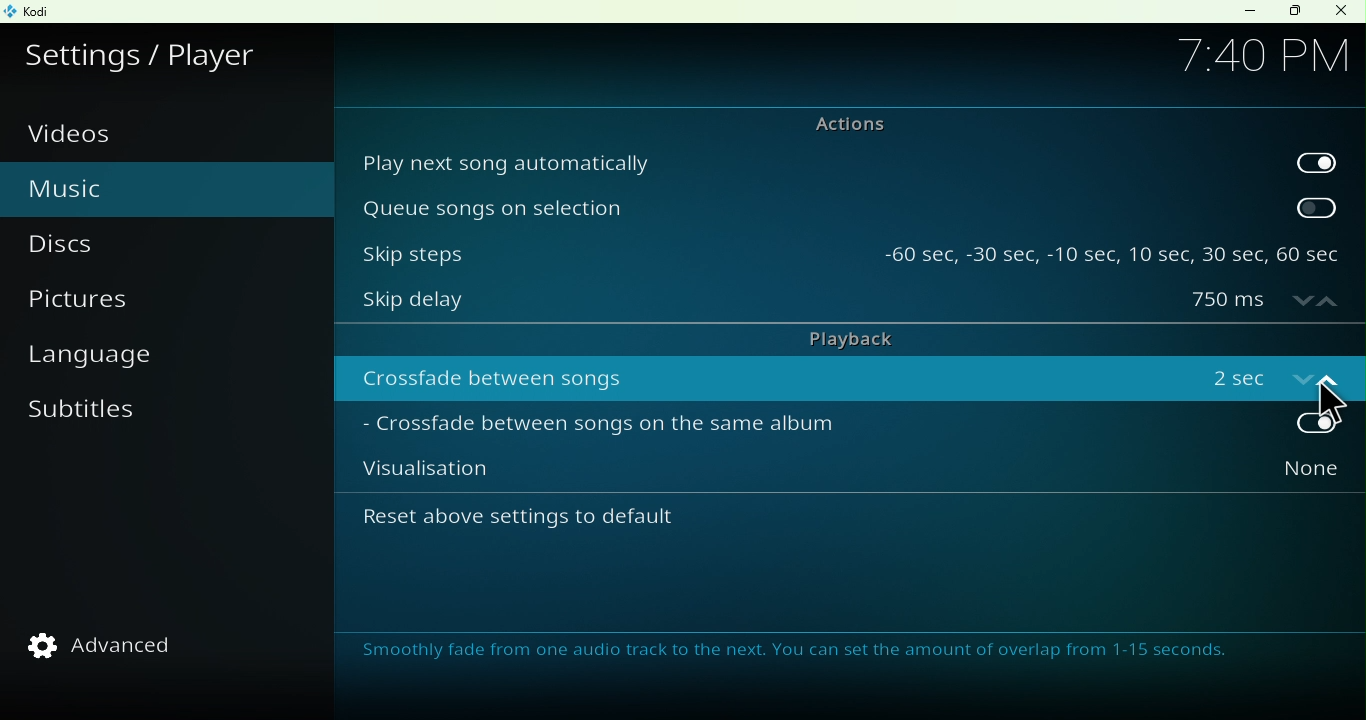 The width and height of the screenshot is (1366, 720). What do you see at coordinates (759, 304) in the screenshot?
I see `Skip delay` at bounding box center [759, 304].